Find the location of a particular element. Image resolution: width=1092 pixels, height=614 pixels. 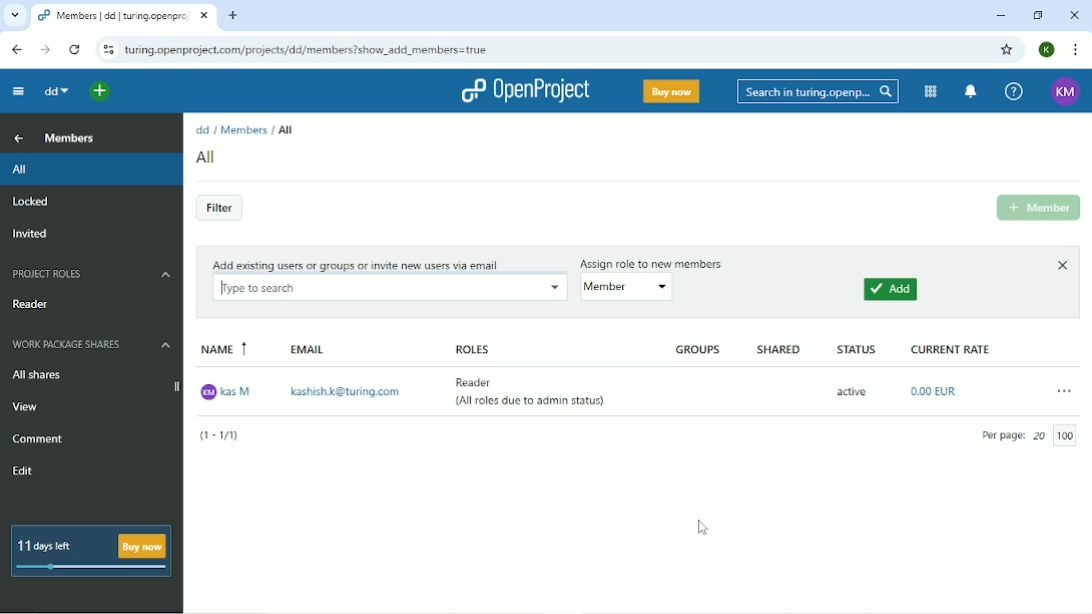

dd is located at coordinates (202, 130).